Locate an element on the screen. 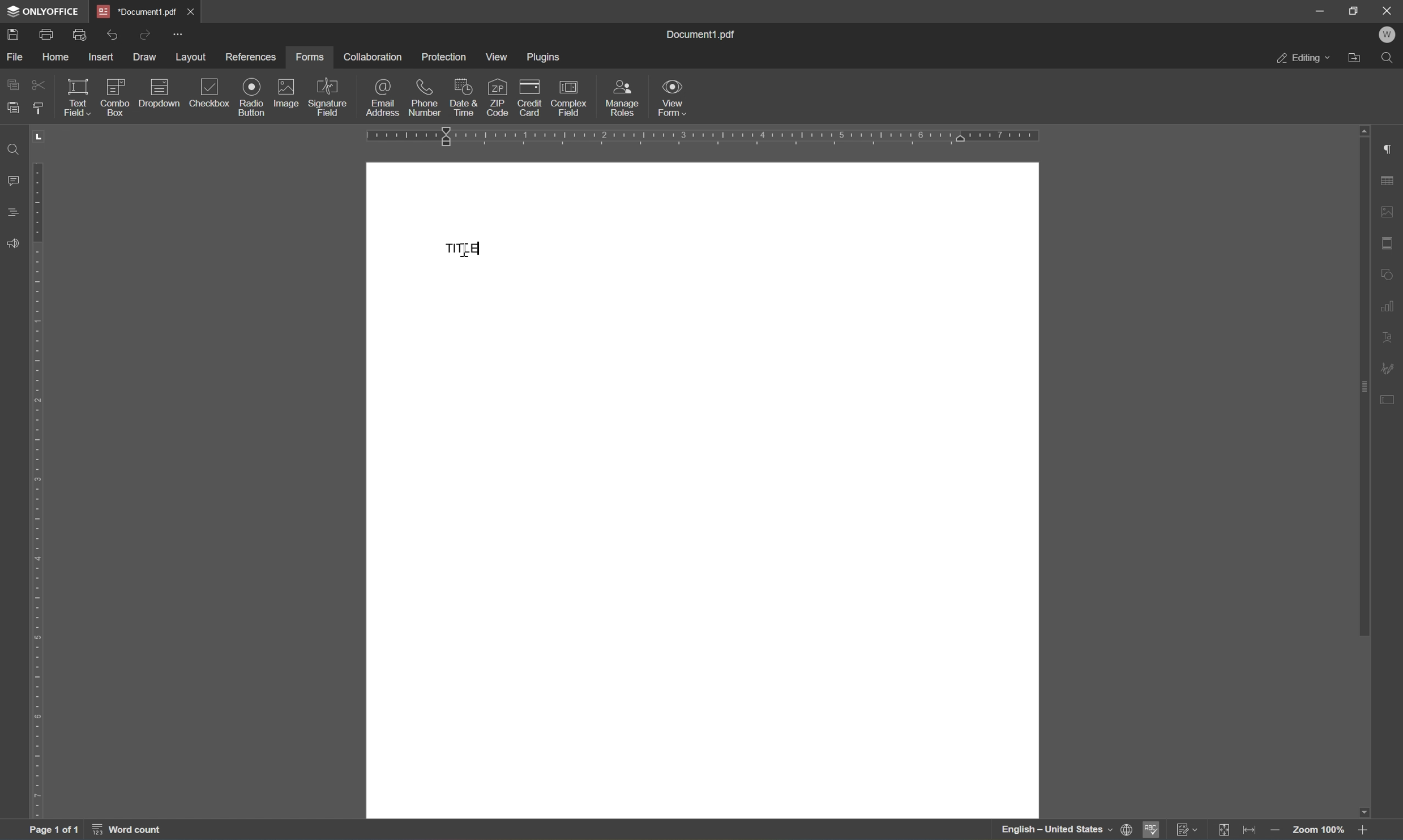  draw is located at coordinates (143, 56).